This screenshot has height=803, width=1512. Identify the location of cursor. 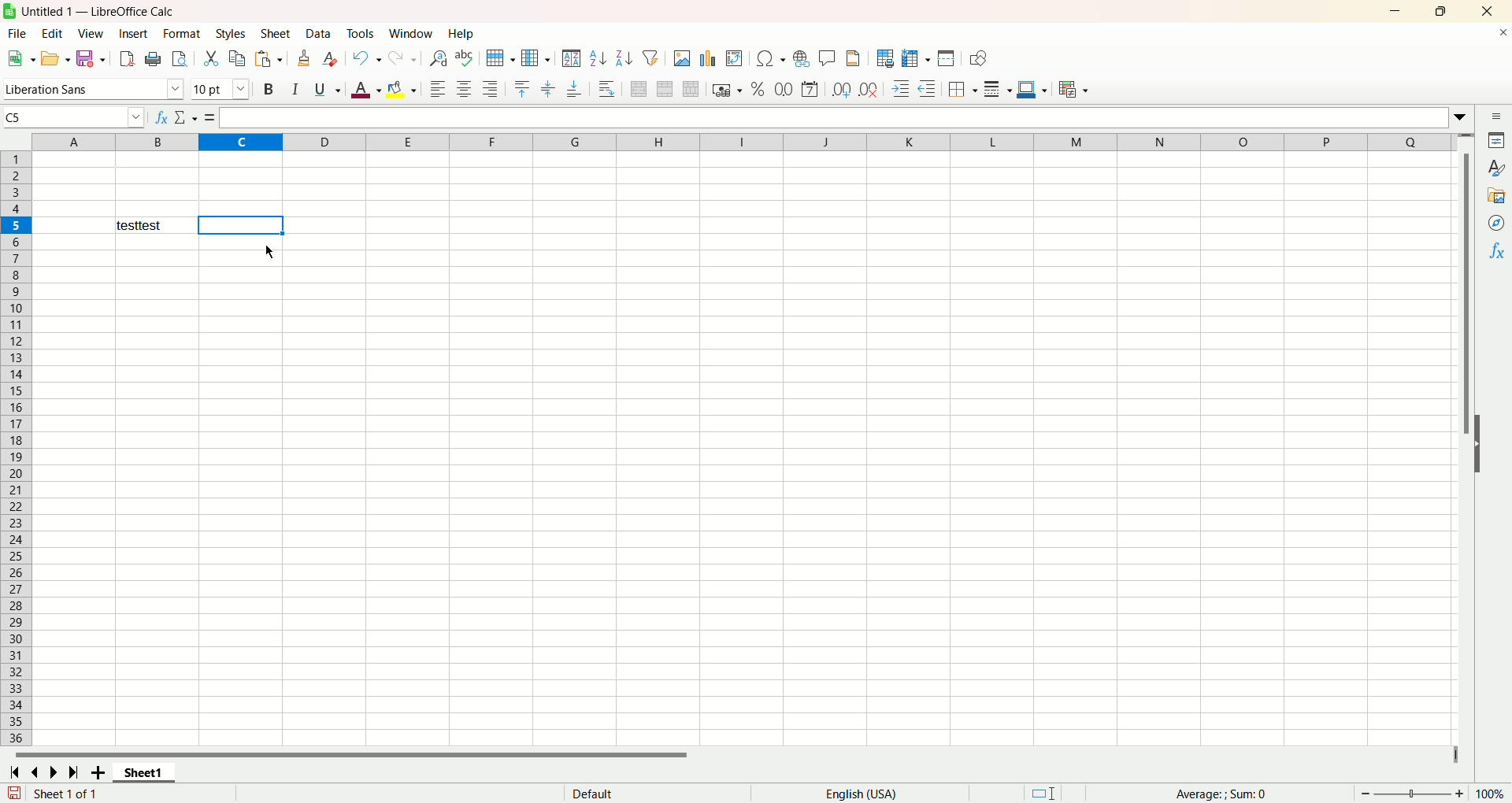
(265, 253).